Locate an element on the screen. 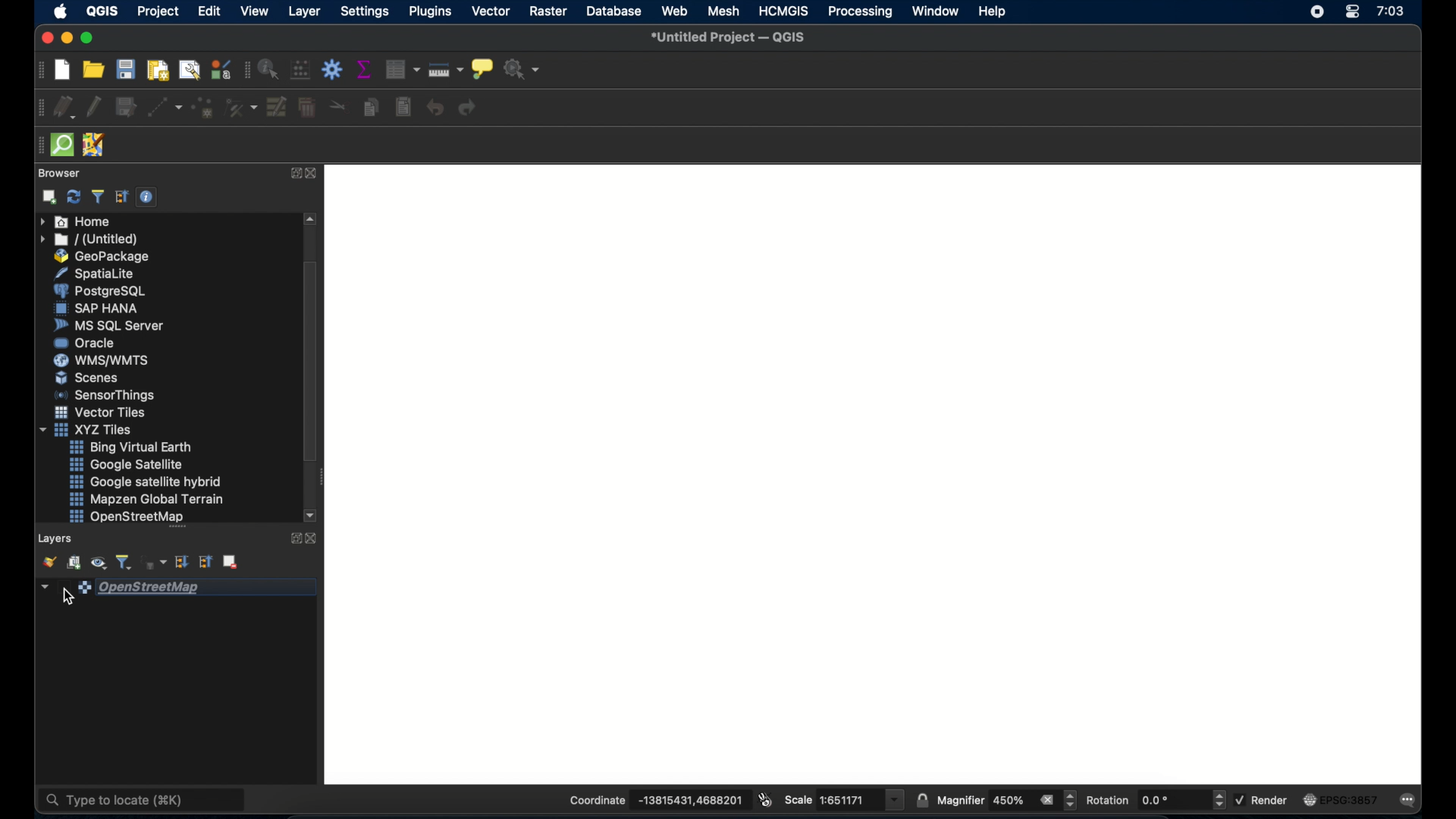 The width and height of the screenshot is (1456, 819). open field calculator is located at coordinates (301, 70).